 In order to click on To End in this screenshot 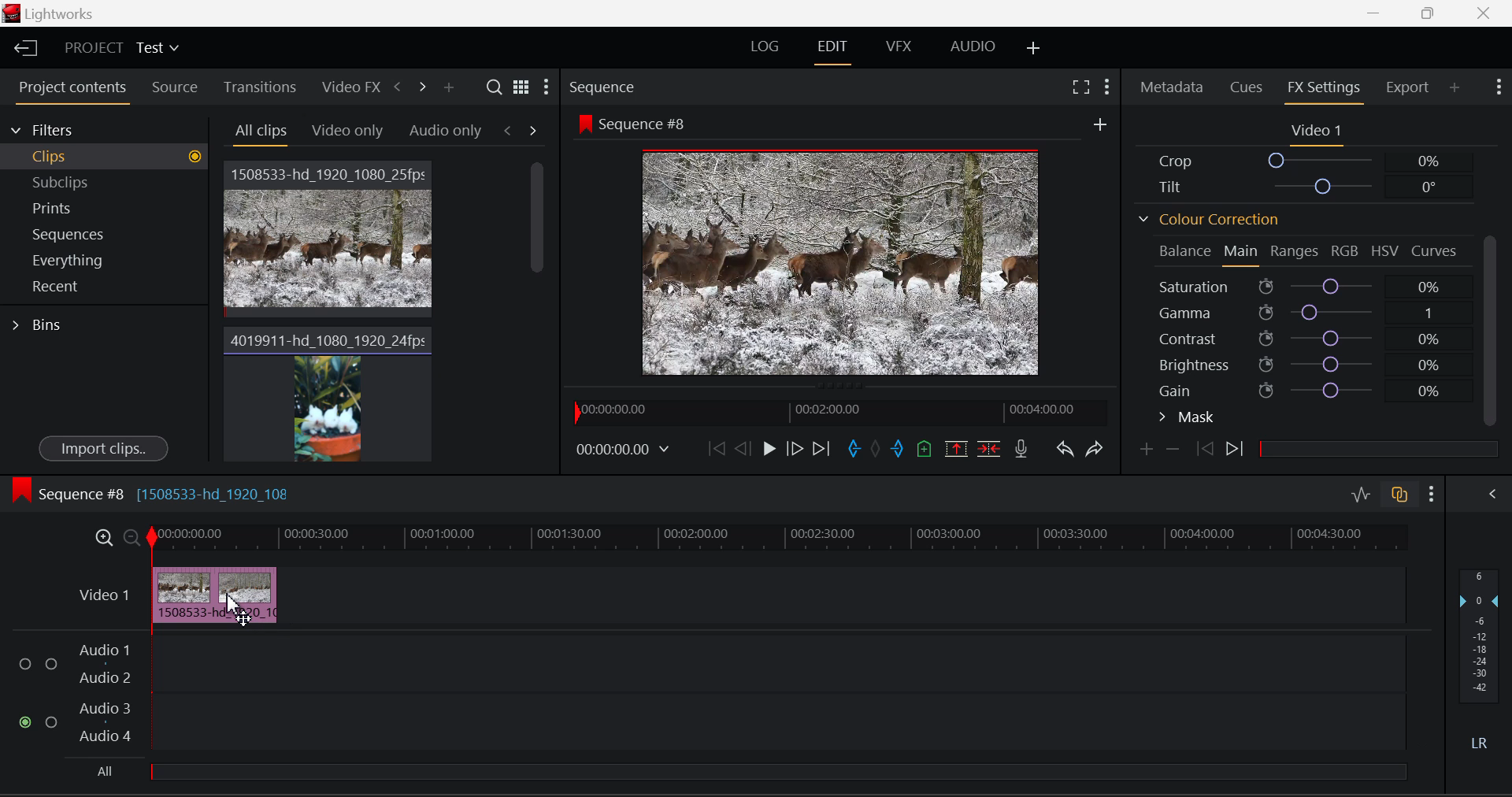, I will do `click(821, 450)`.